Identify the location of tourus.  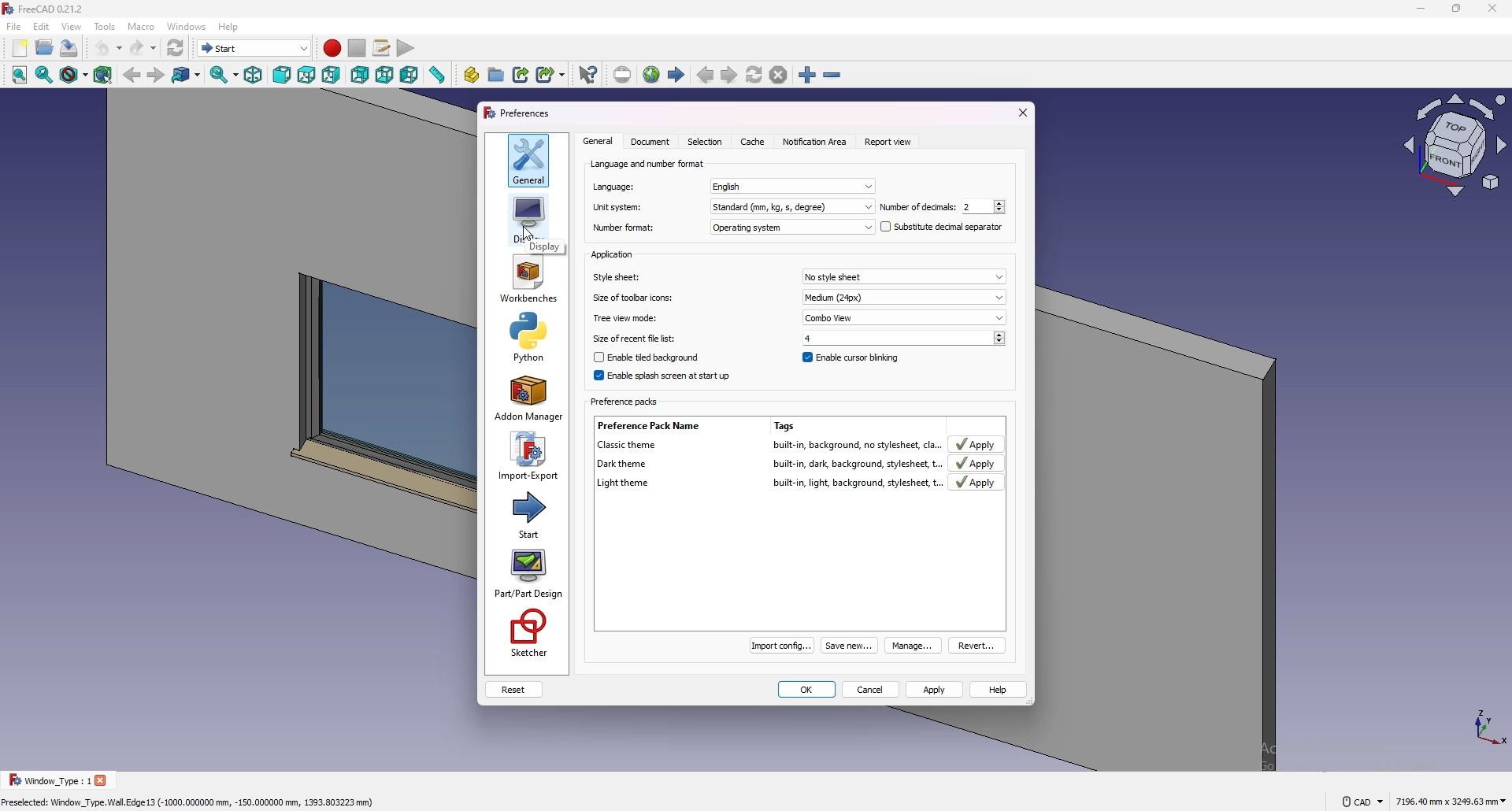
(1480, 726).